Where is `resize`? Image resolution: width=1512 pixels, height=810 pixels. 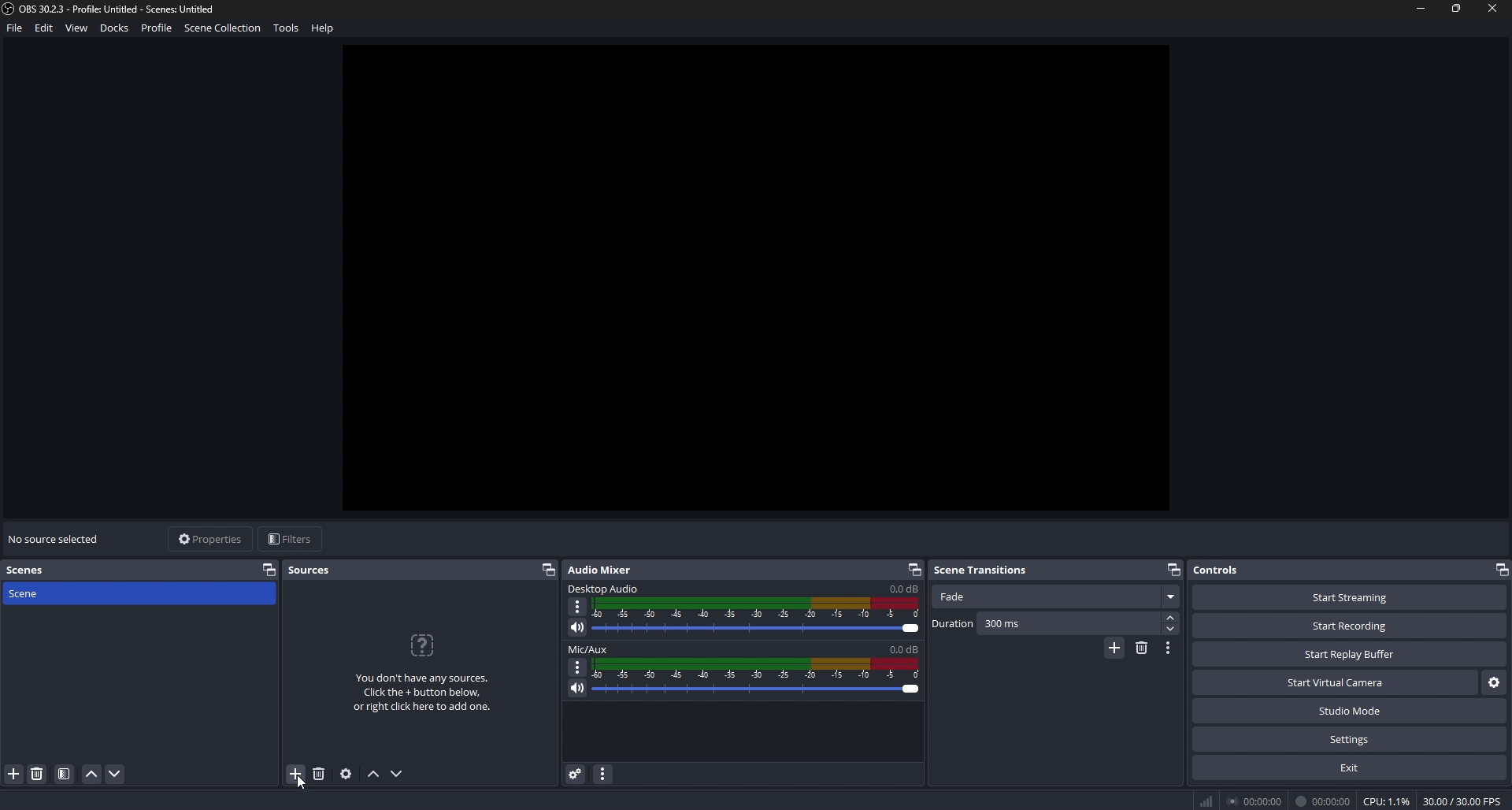
resize is located at coordinates (1458, 7).